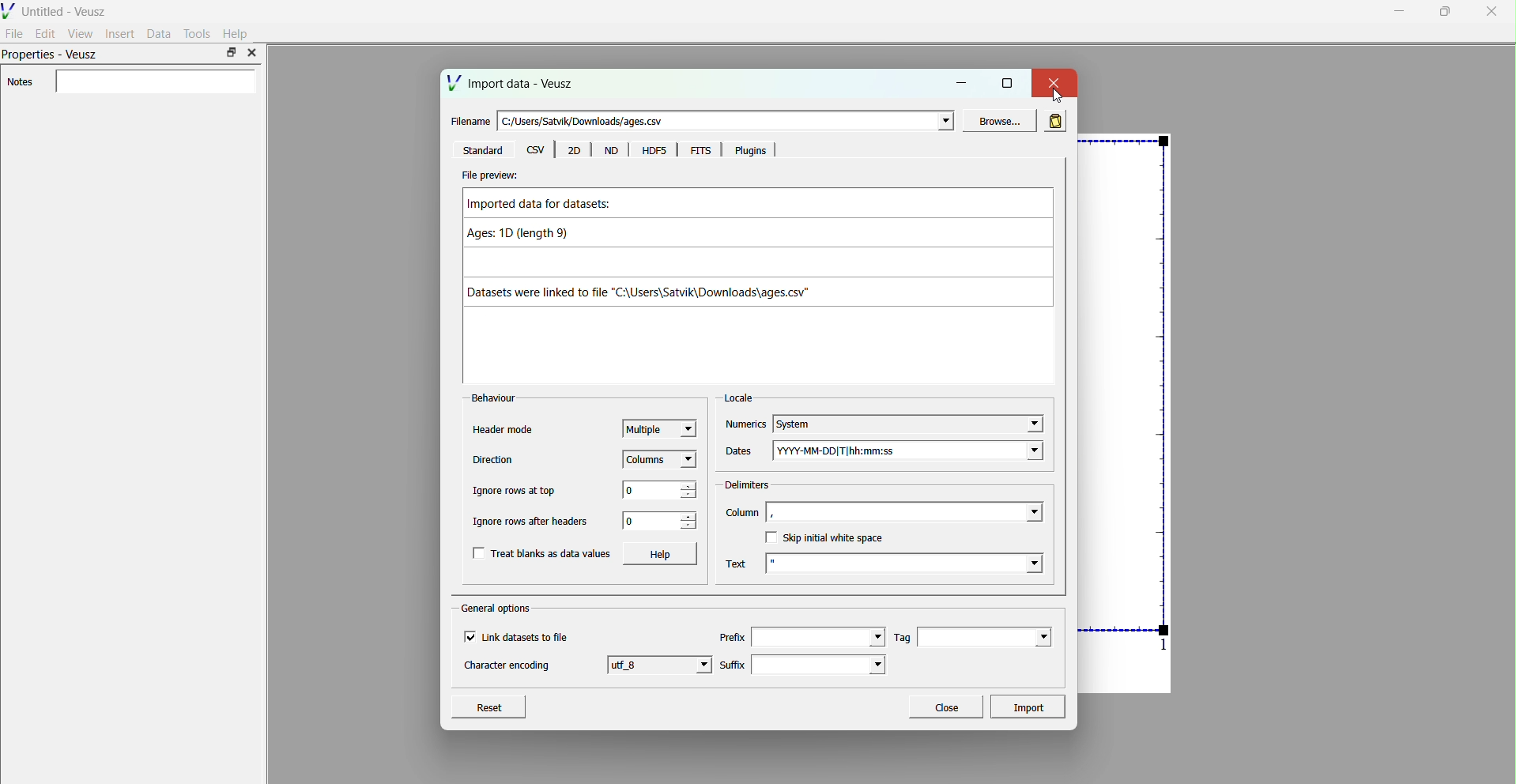  Describe the element at coordinates (198, 33) in the screenshot. I see `Tools` at that location.